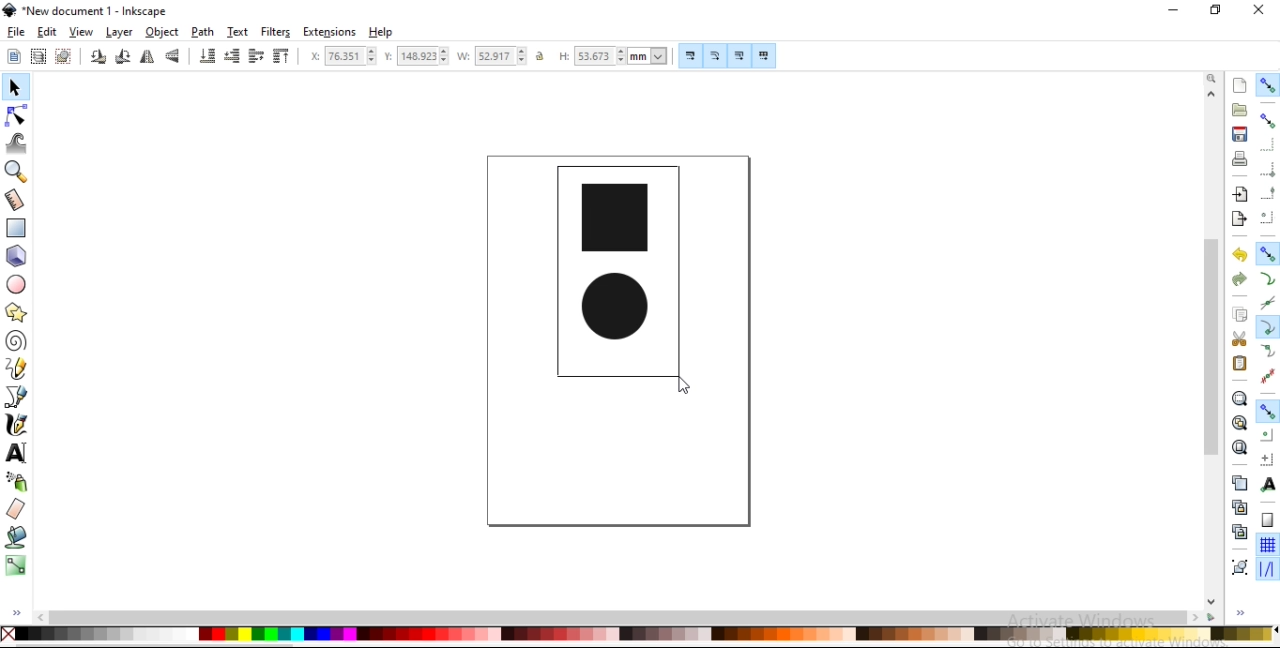 The height and width of the screenshot is (648, 1280). What do you see at coordinates (1239, 399) in the screenshot?
I see `zoom to fit selection` at bounding box center [1239, 399].